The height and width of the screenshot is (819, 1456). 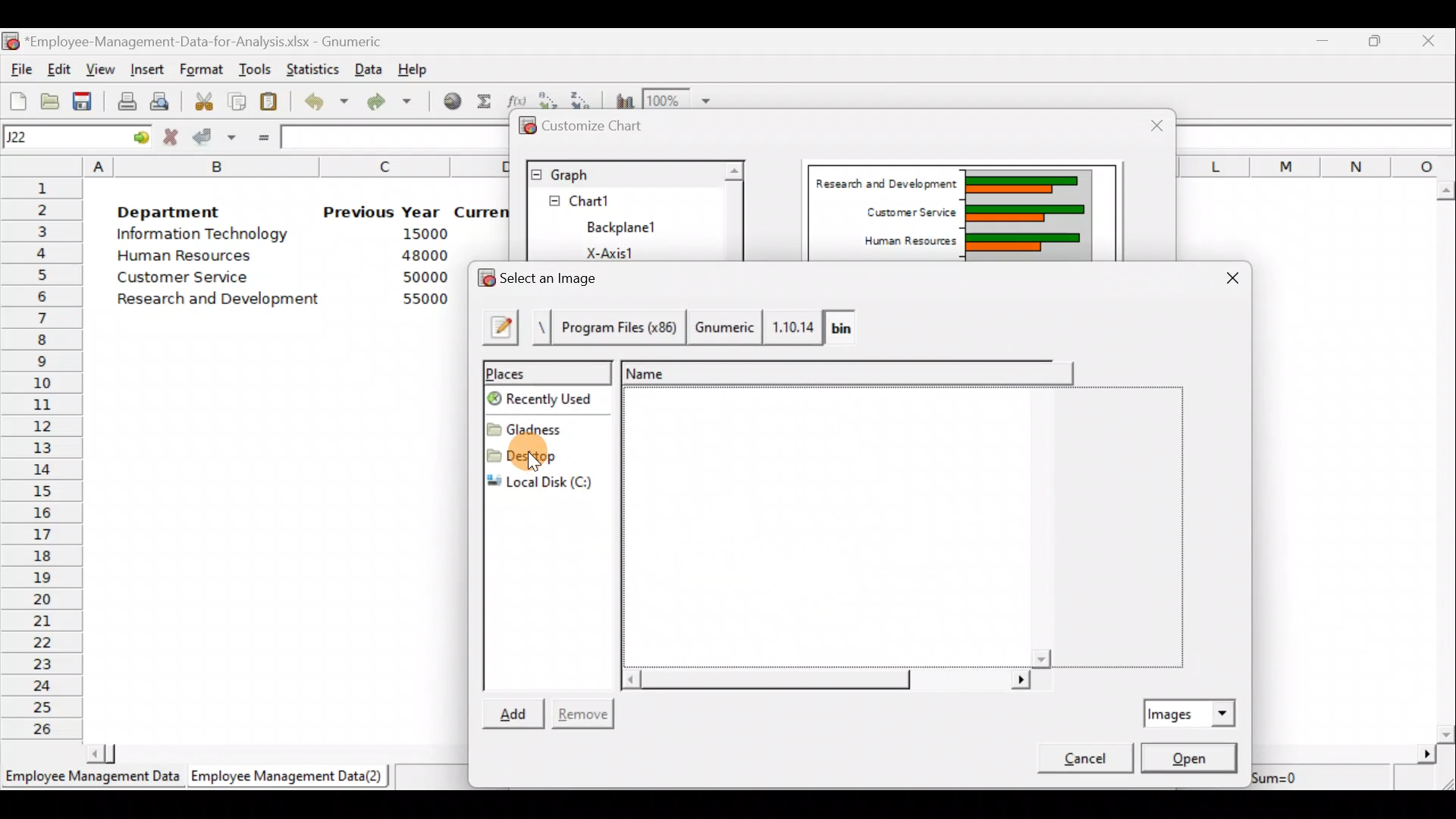 What do you see at coordinates (397, 103) in the screenshot?
I see `Redo undone action` at bounding box center [397, 103].